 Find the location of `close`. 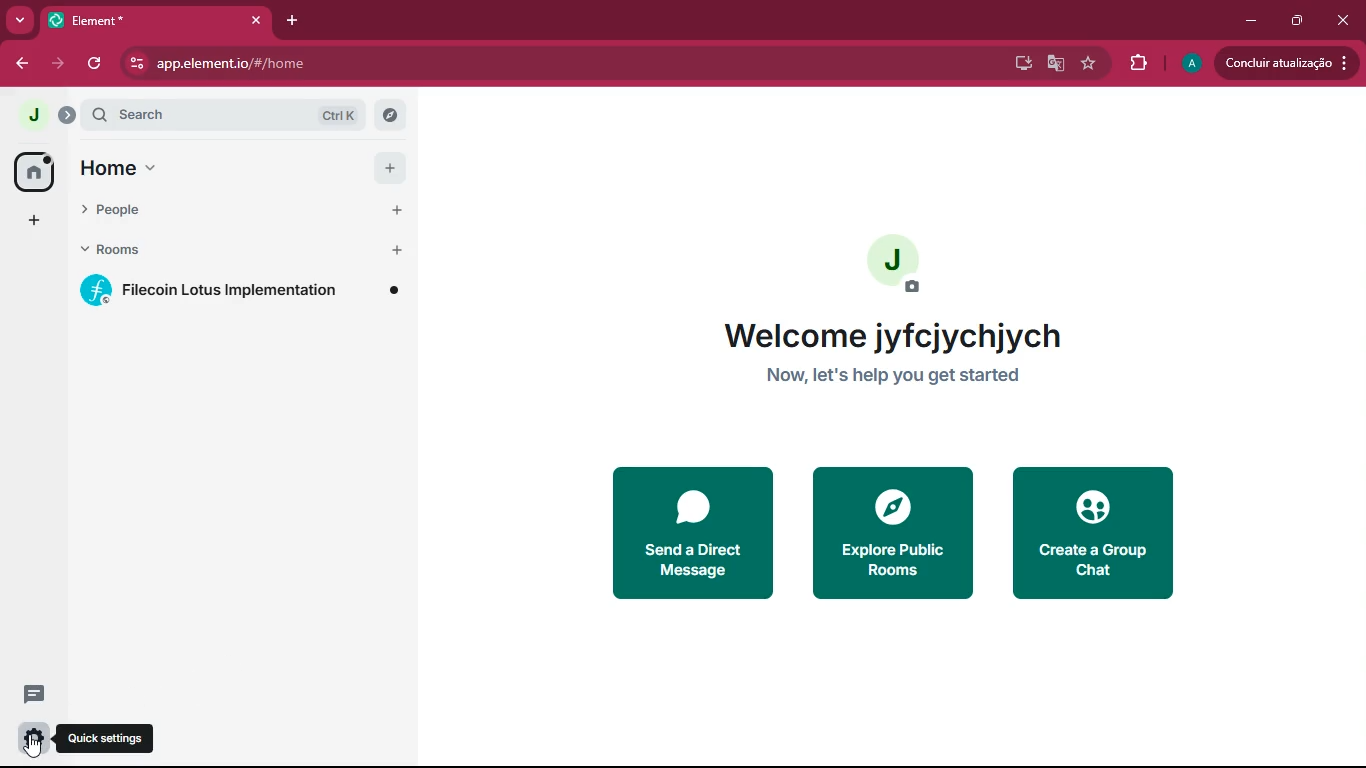

close is located at coordinates (1345, 23).